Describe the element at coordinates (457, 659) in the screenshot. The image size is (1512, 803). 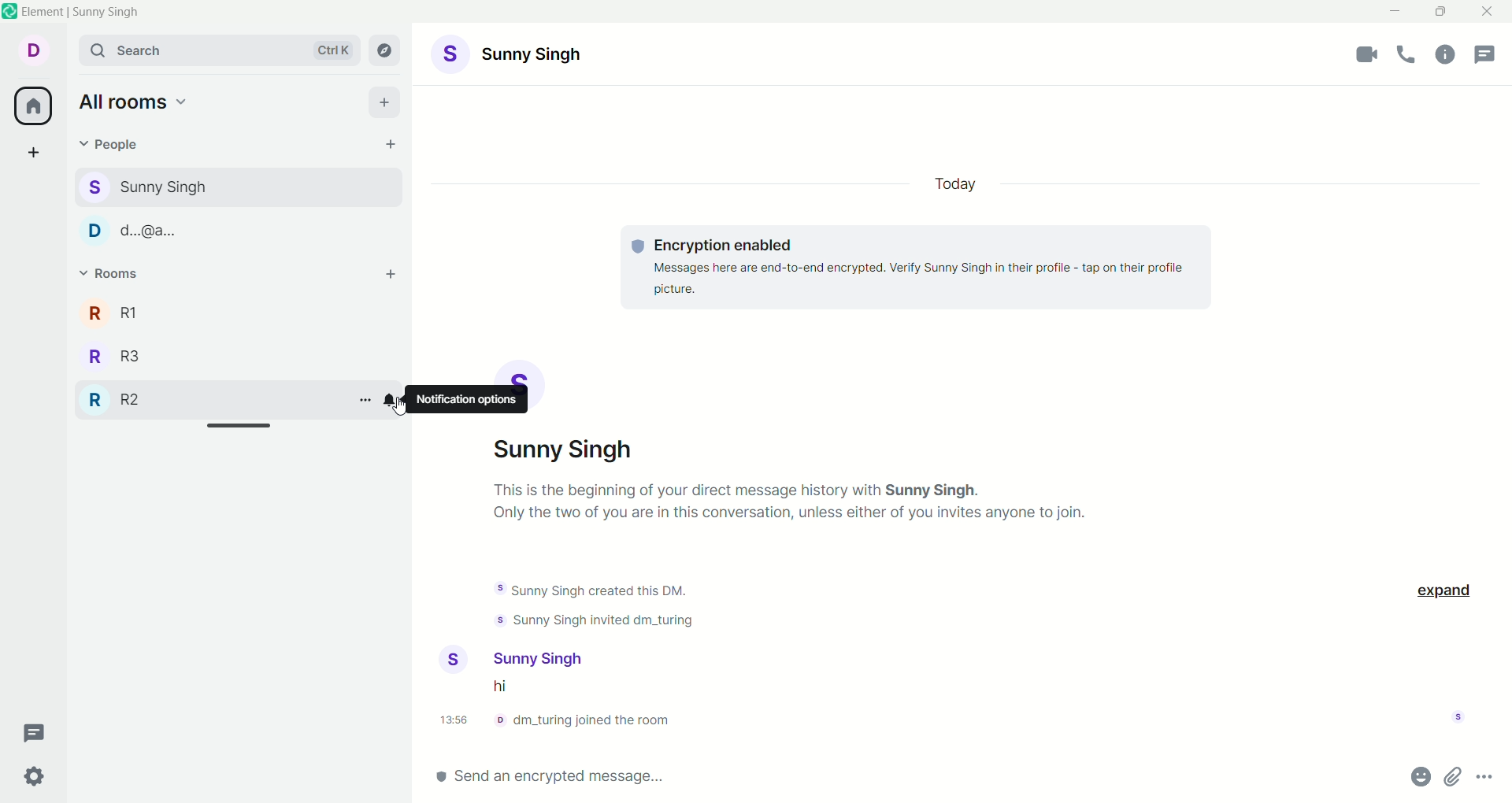
I see `user profile` at that location.